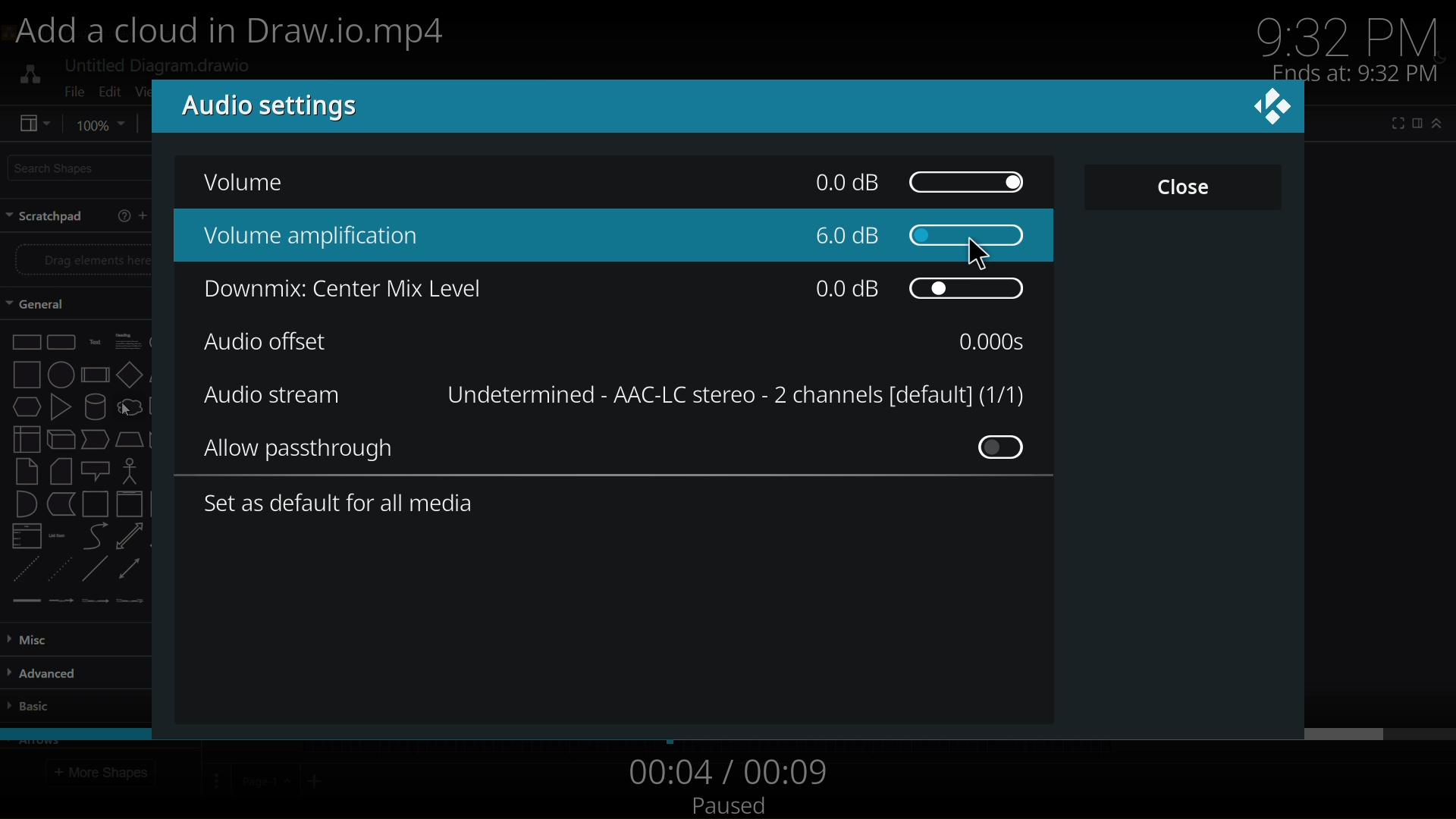 This screenshot has height=819, width=1456. I want to click on Add a cloud in Draw.io.mp4, so click(245, 35).